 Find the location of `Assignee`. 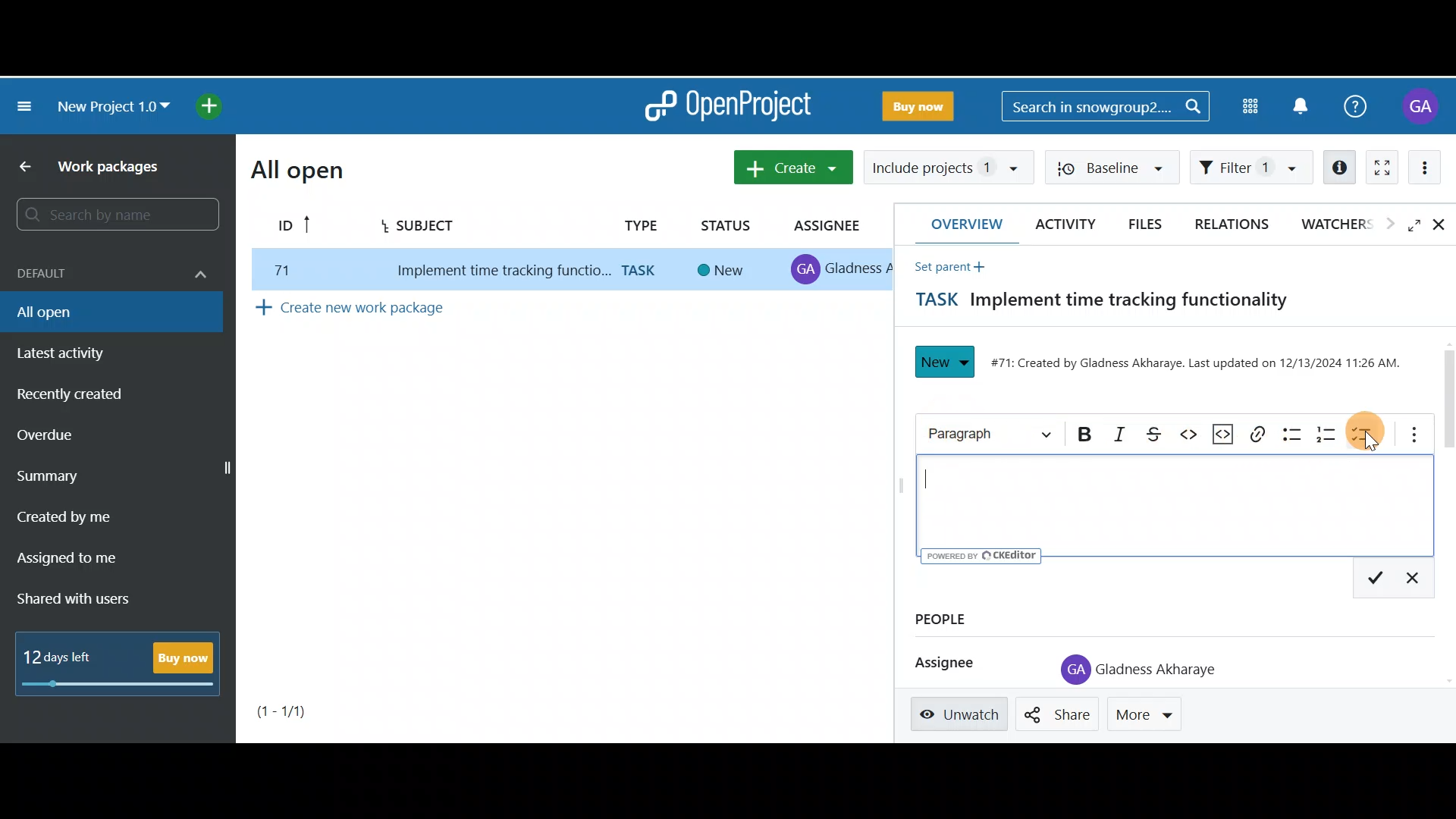

Assignee is located at coordinates (939, 661).